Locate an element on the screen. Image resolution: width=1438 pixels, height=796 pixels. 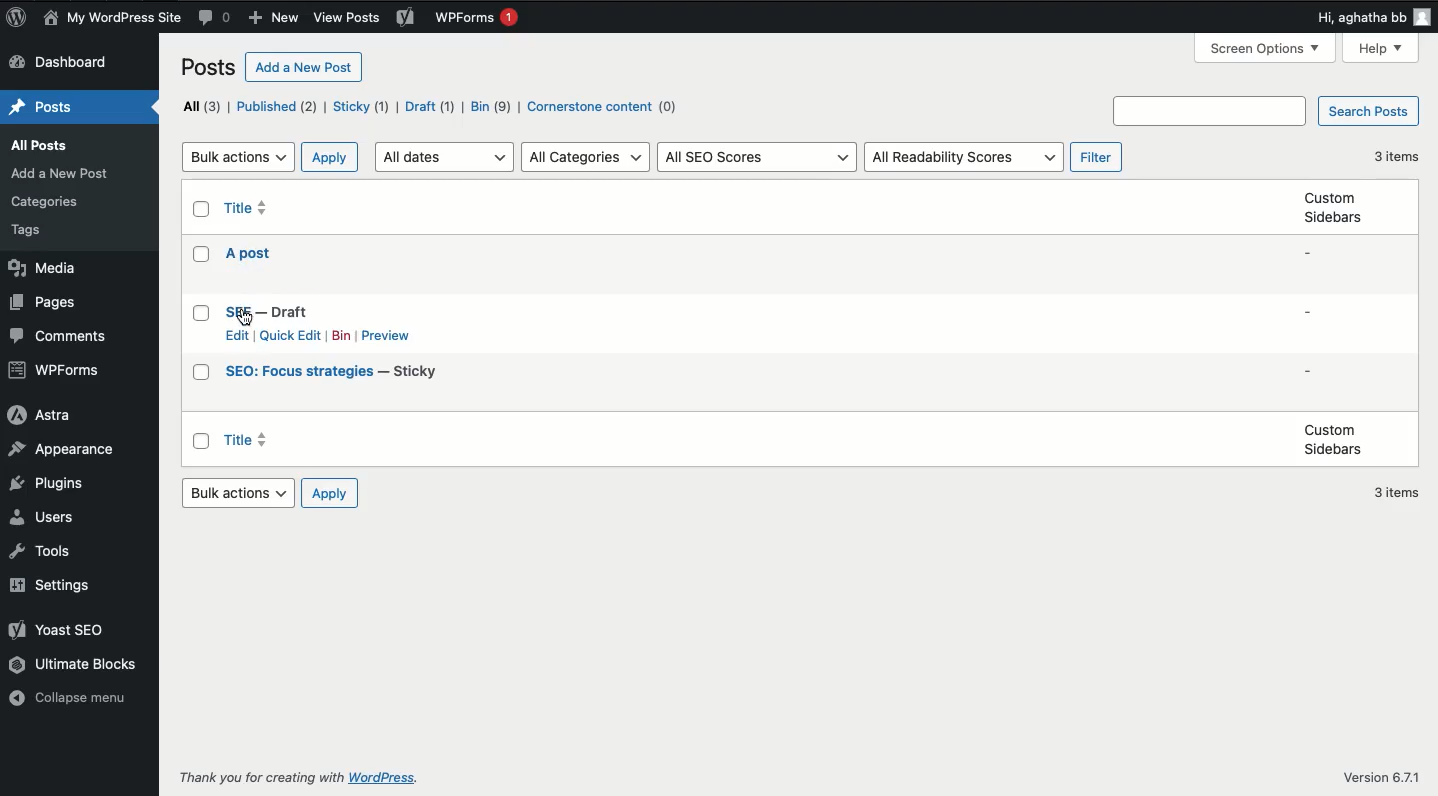
Bin is located at coordinates (341, 335).